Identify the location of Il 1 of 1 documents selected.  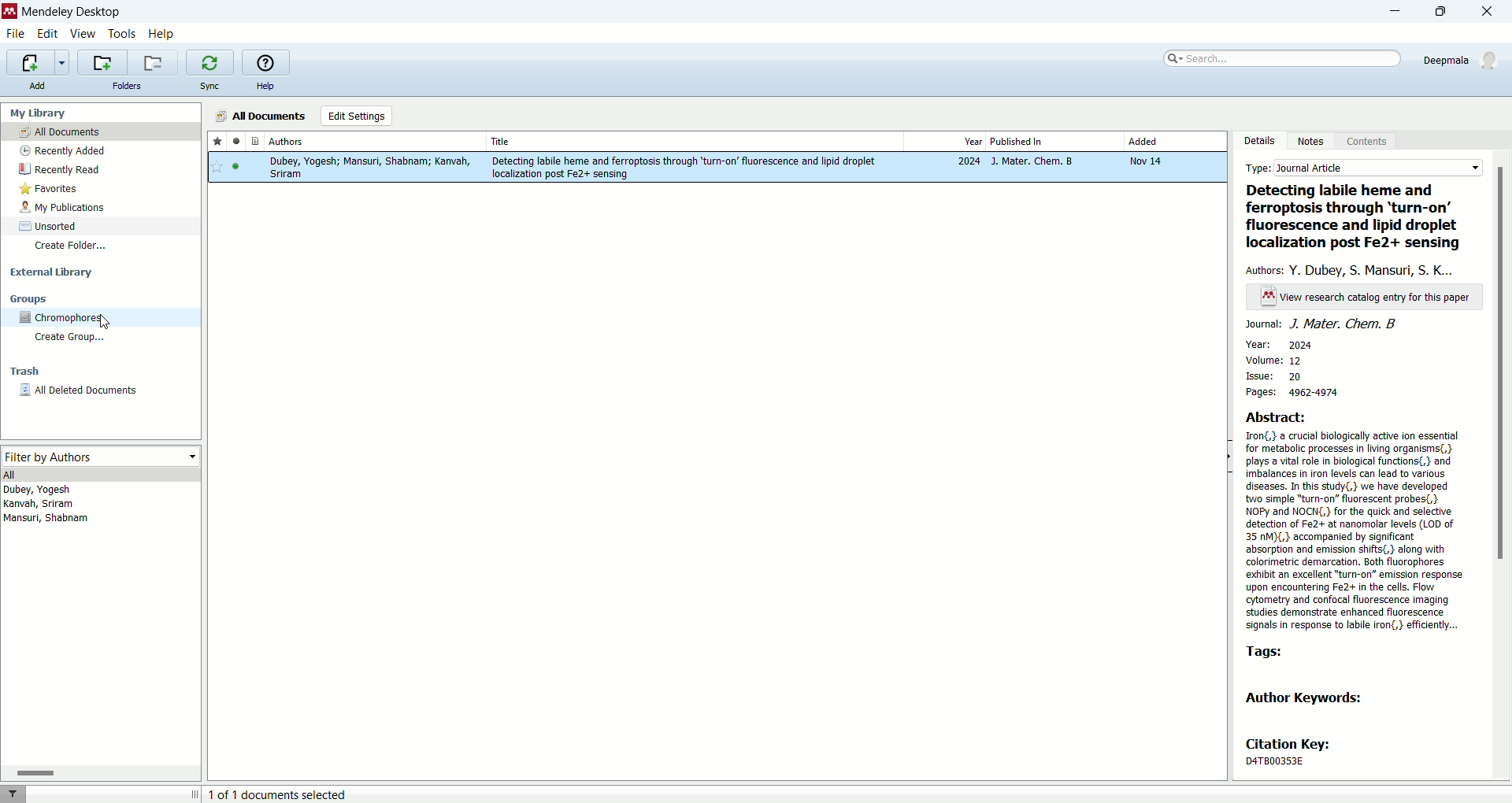
(309, 794).